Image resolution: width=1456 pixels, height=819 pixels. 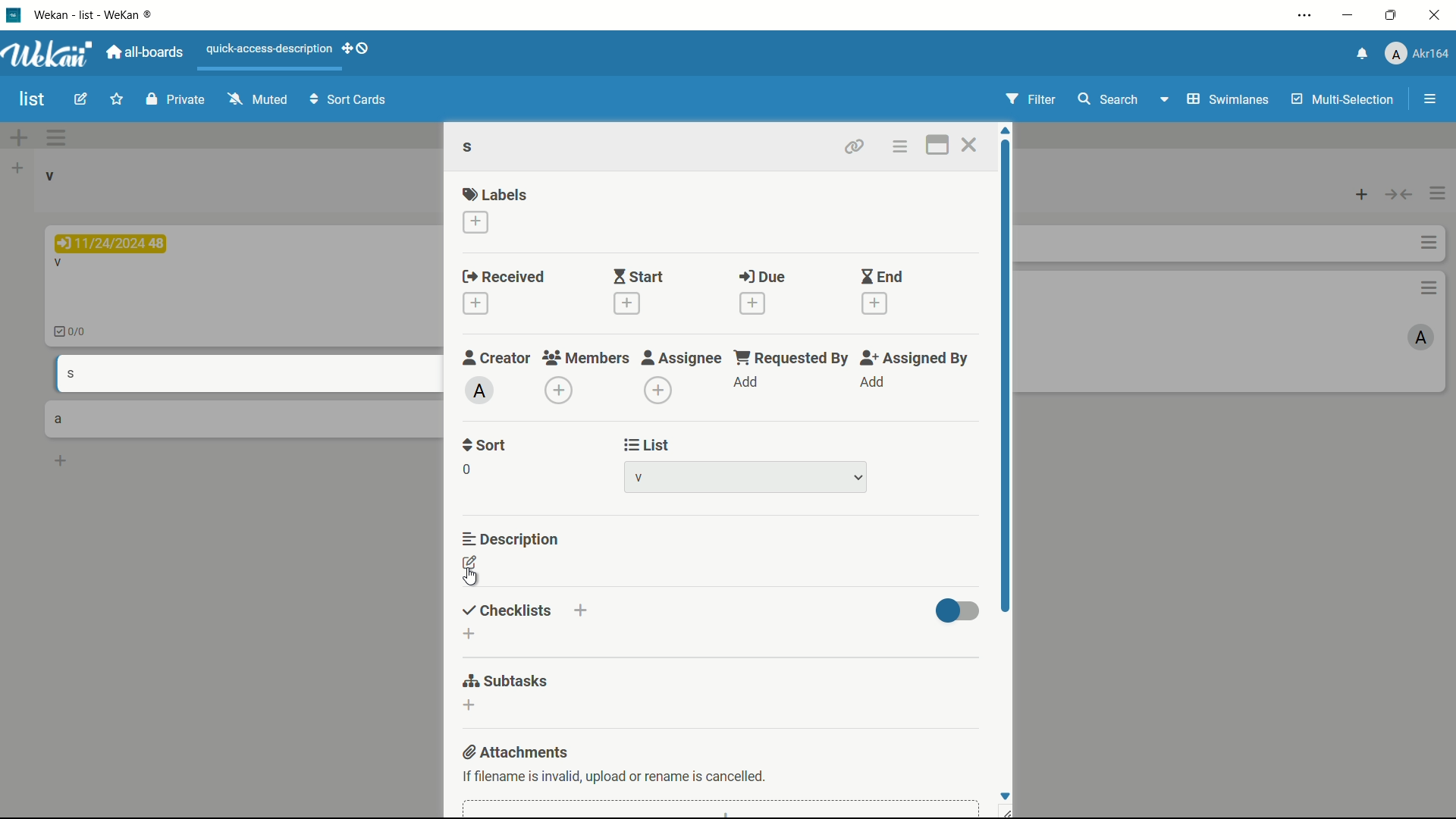 I want to click on add, so click(x=747, y=382).